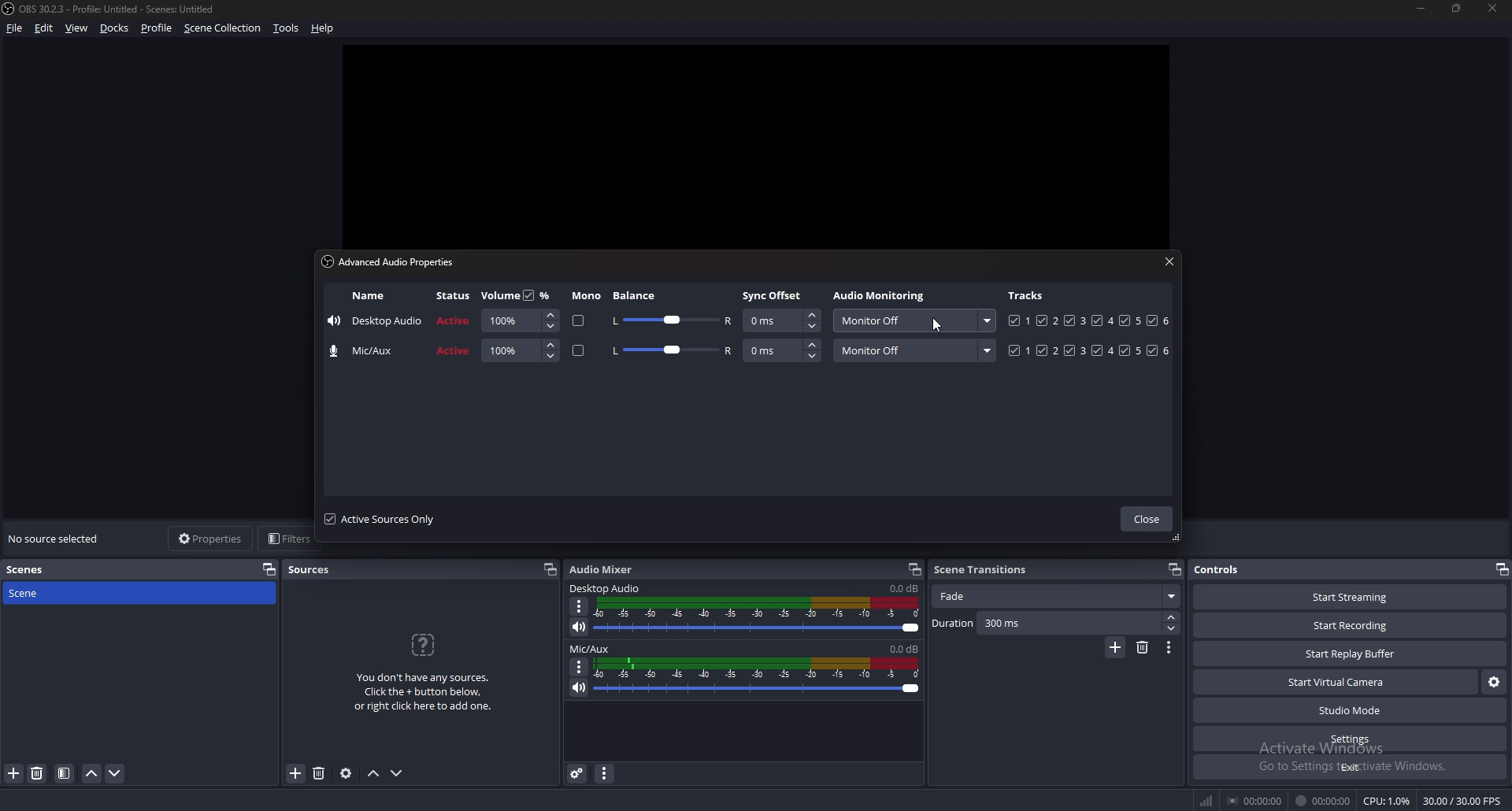 The width and height of the screenshot is (1512, 811). I want to click on increase duration, so click(1171, 617).